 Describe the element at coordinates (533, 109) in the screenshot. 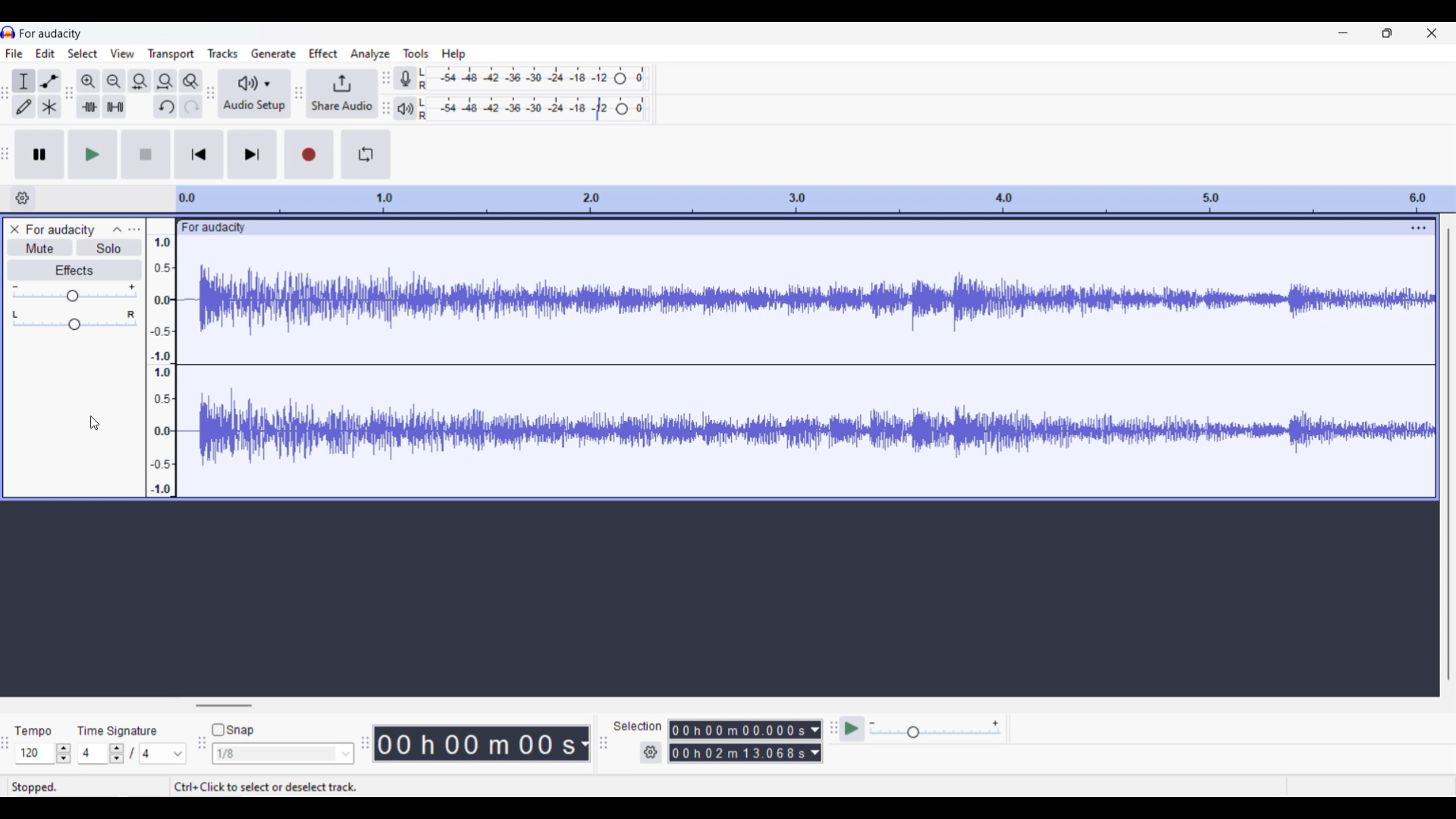

I see `Playback level` at that location.